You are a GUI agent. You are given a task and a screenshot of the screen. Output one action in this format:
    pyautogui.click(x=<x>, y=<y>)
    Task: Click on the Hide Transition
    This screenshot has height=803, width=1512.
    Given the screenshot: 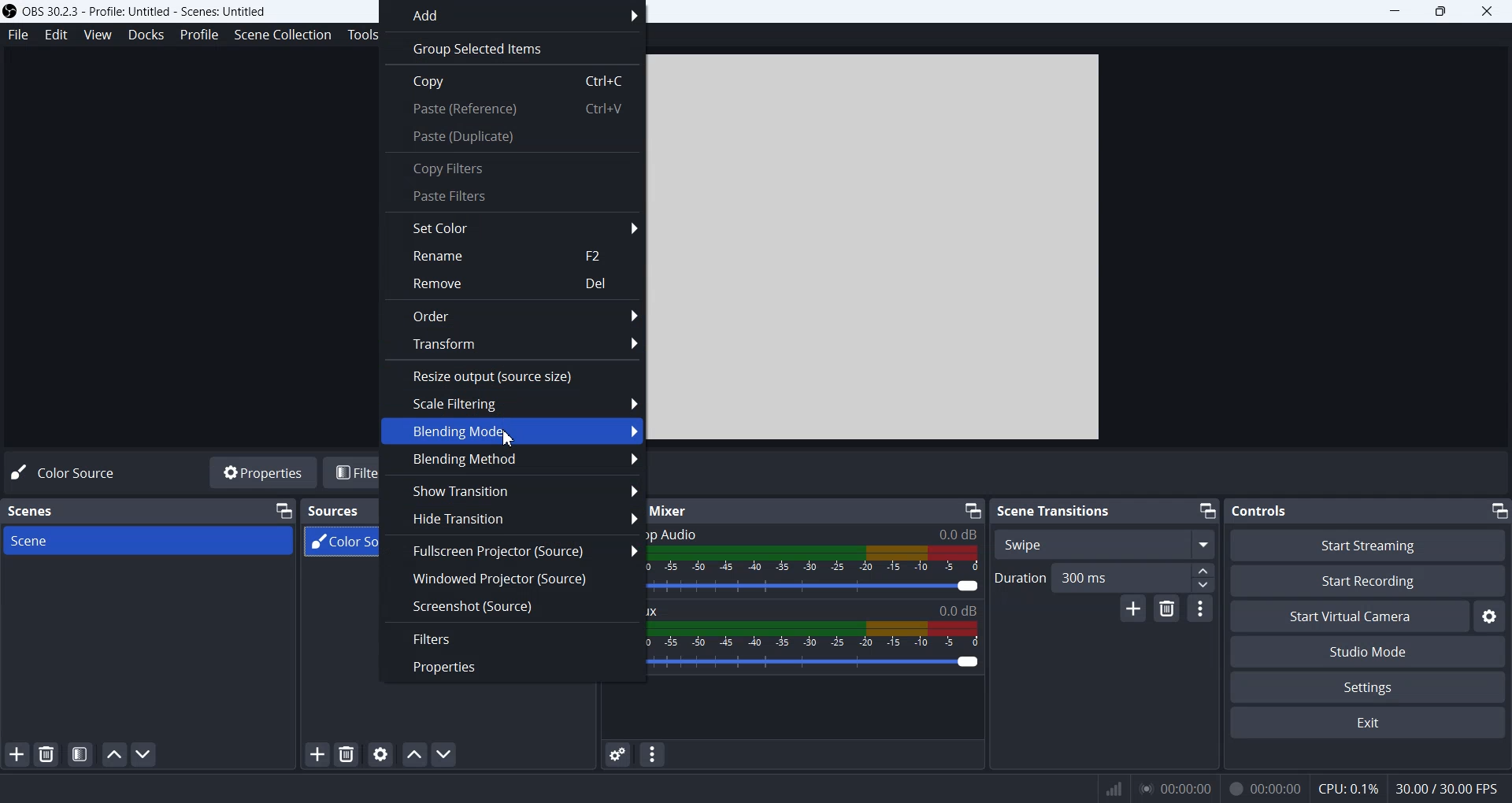 What is the action you would take?
    pyautogui.click(x=513, y=520)
    